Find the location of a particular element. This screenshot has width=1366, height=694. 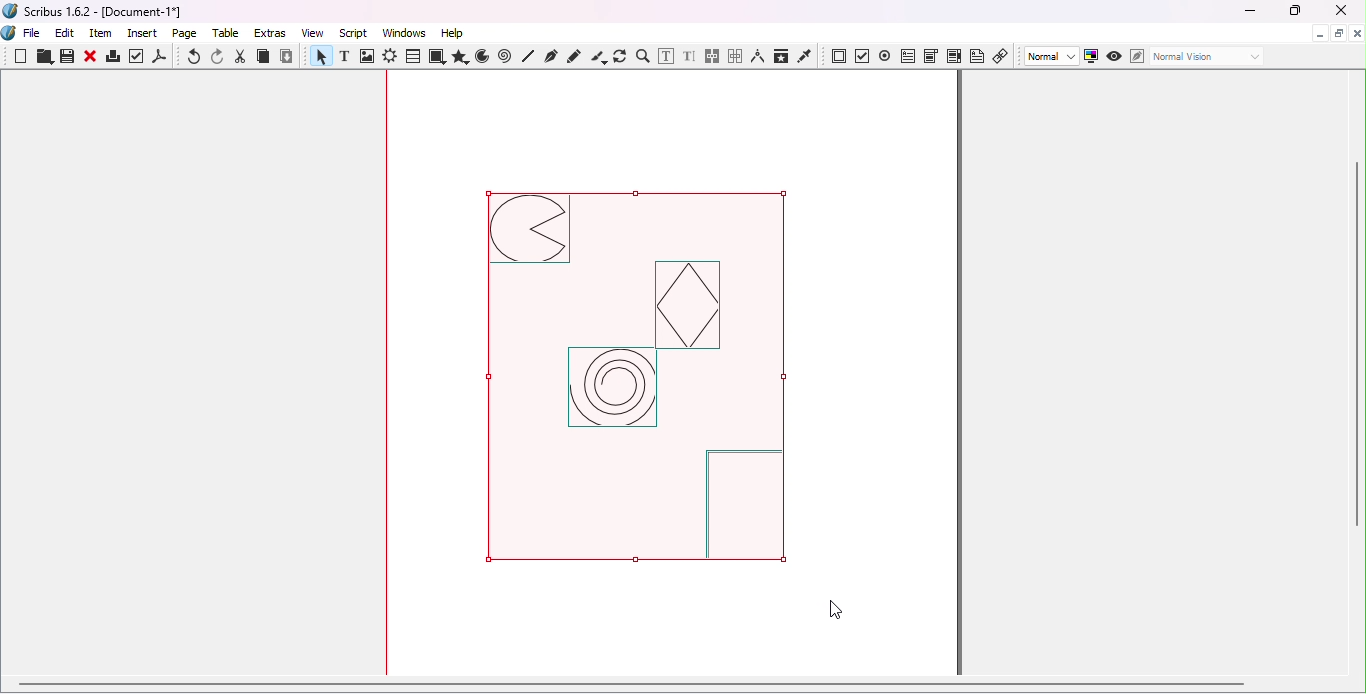

Close is located at coordinates (1337, 12).